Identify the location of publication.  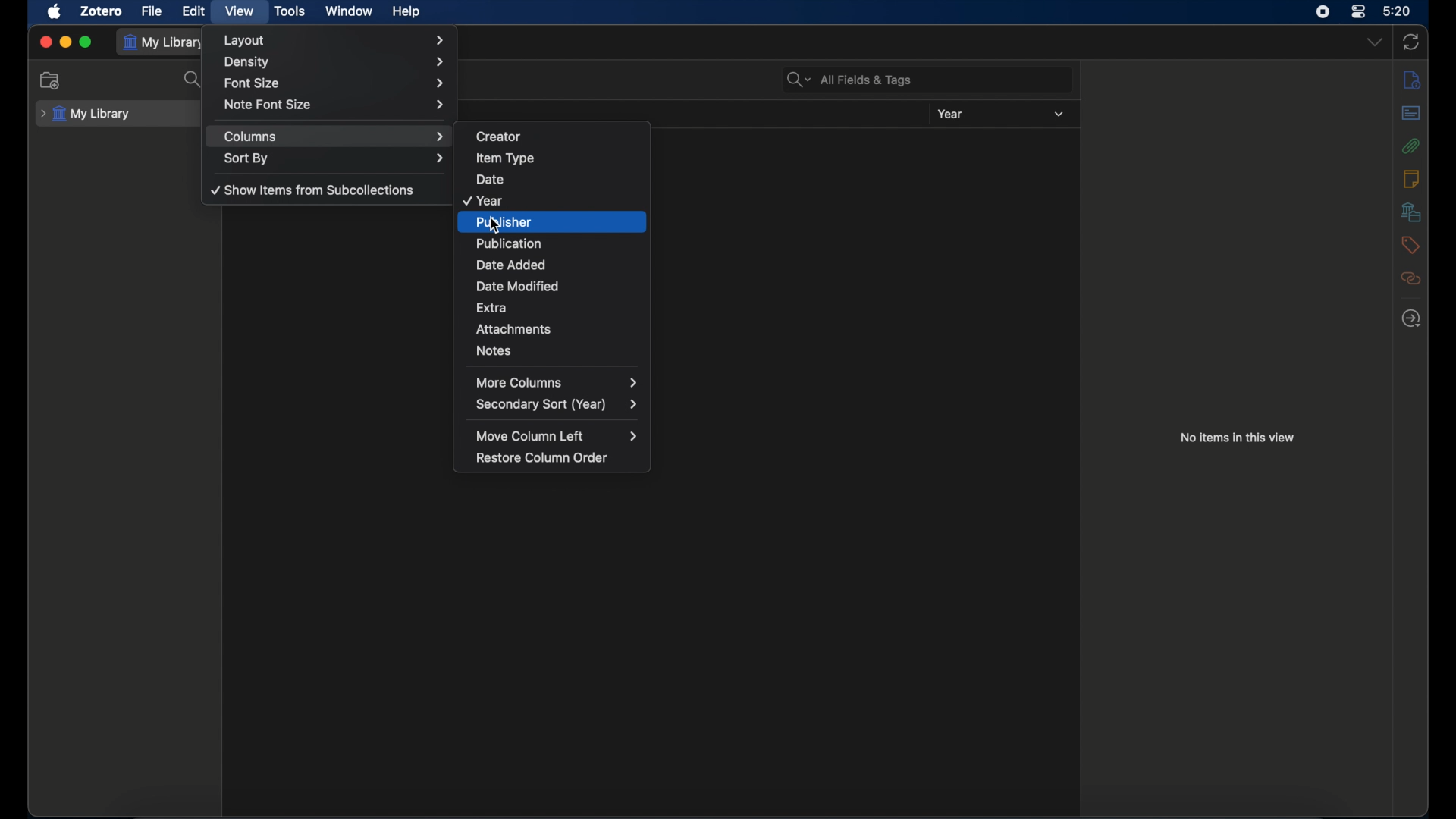
(560, 243).